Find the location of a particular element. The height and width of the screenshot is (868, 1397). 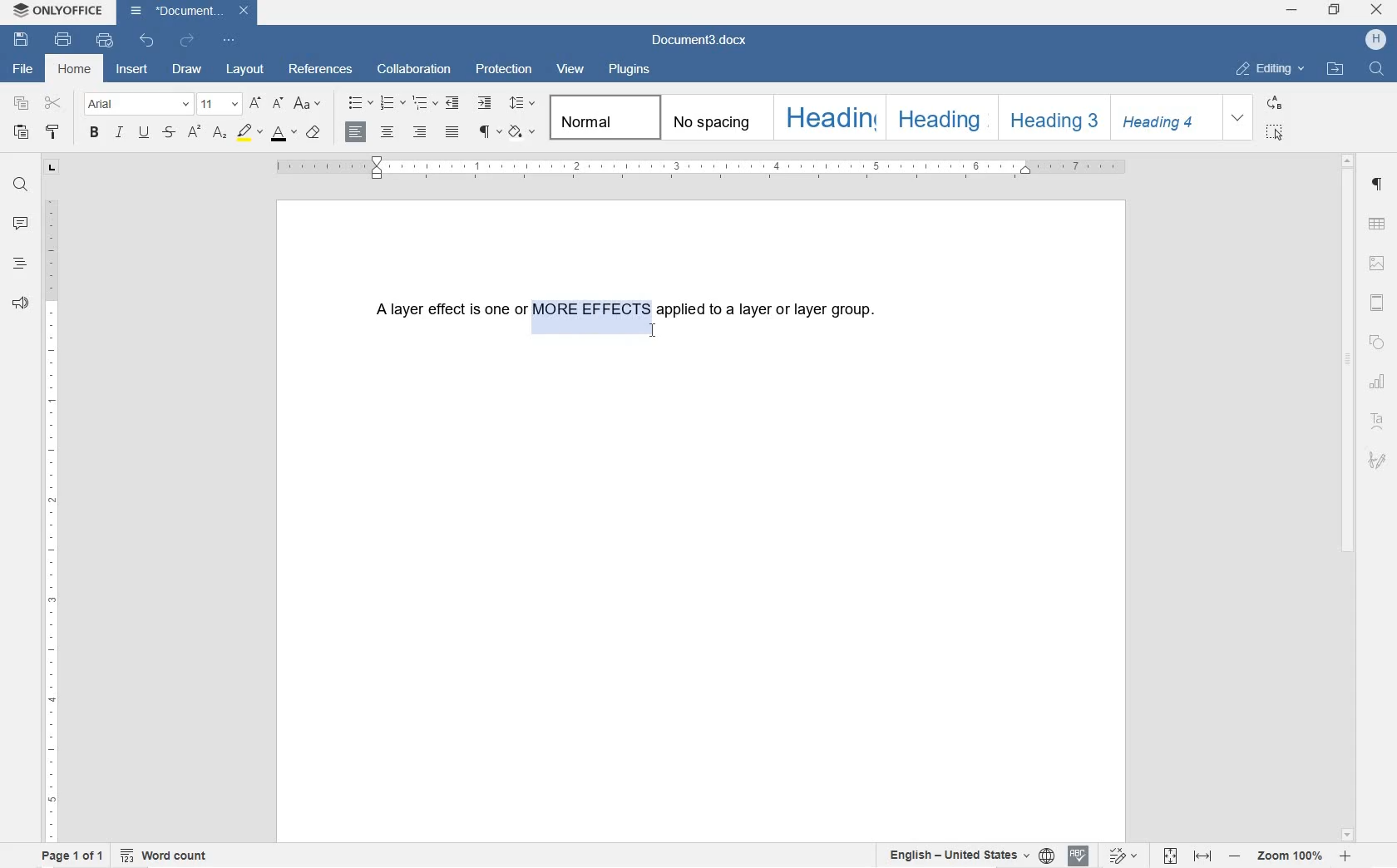

PAGE 1 OF 1 is located at coordinates (72, 856).